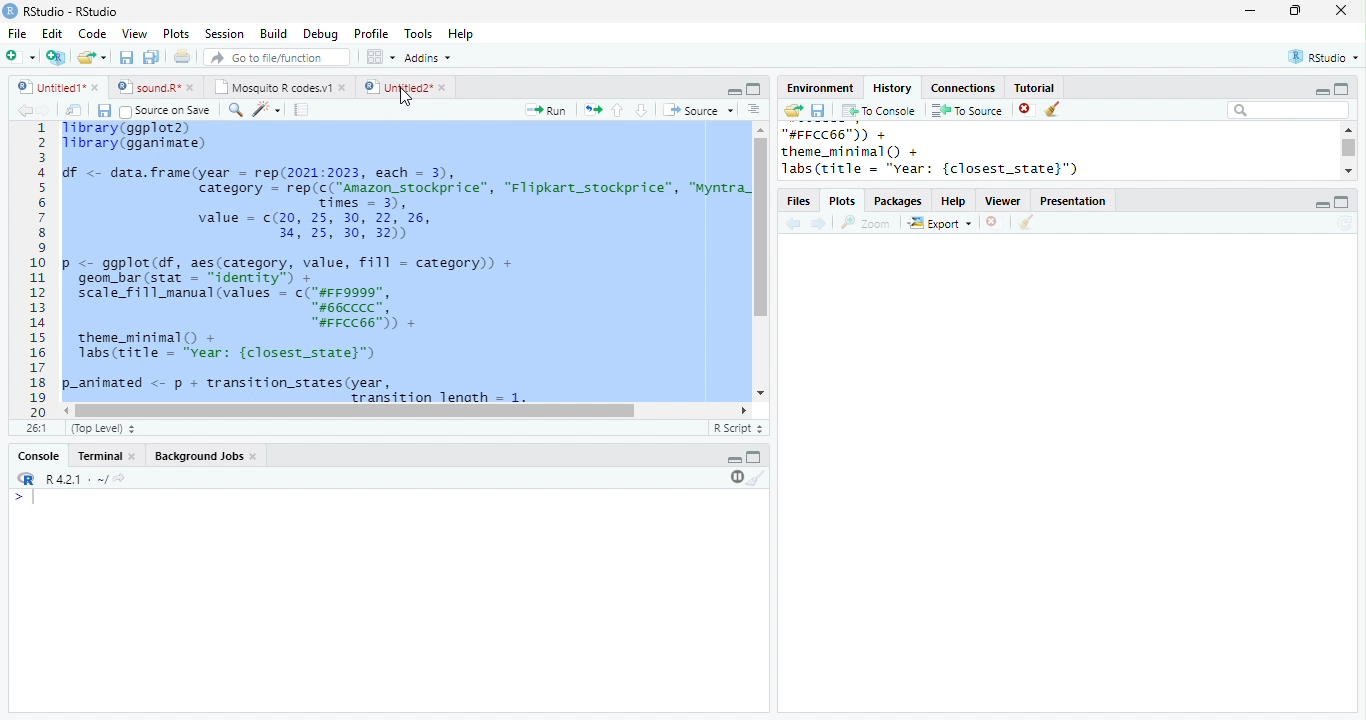 The image size is (1366, 720). I want to click on R Script, so click(737, 427).